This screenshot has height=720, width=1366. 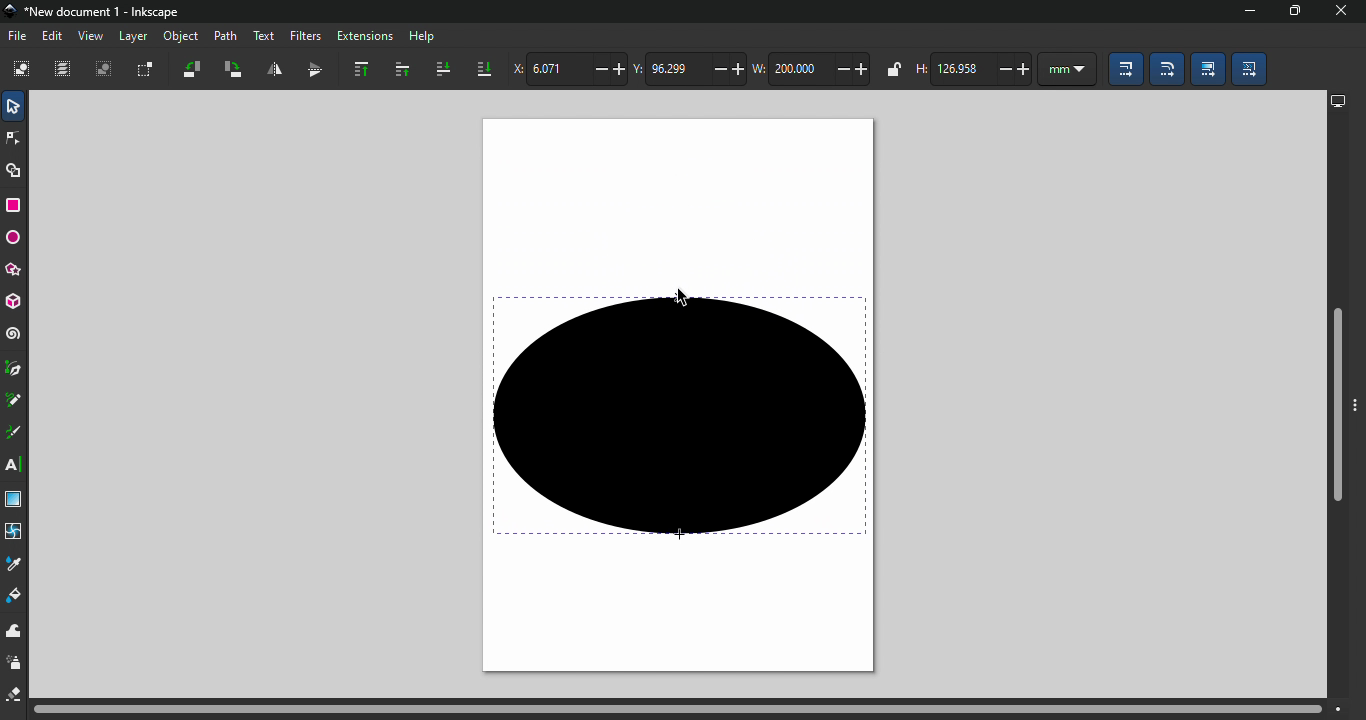 I want to click on Ellipse/arc tool, so click(x=15, y=236).